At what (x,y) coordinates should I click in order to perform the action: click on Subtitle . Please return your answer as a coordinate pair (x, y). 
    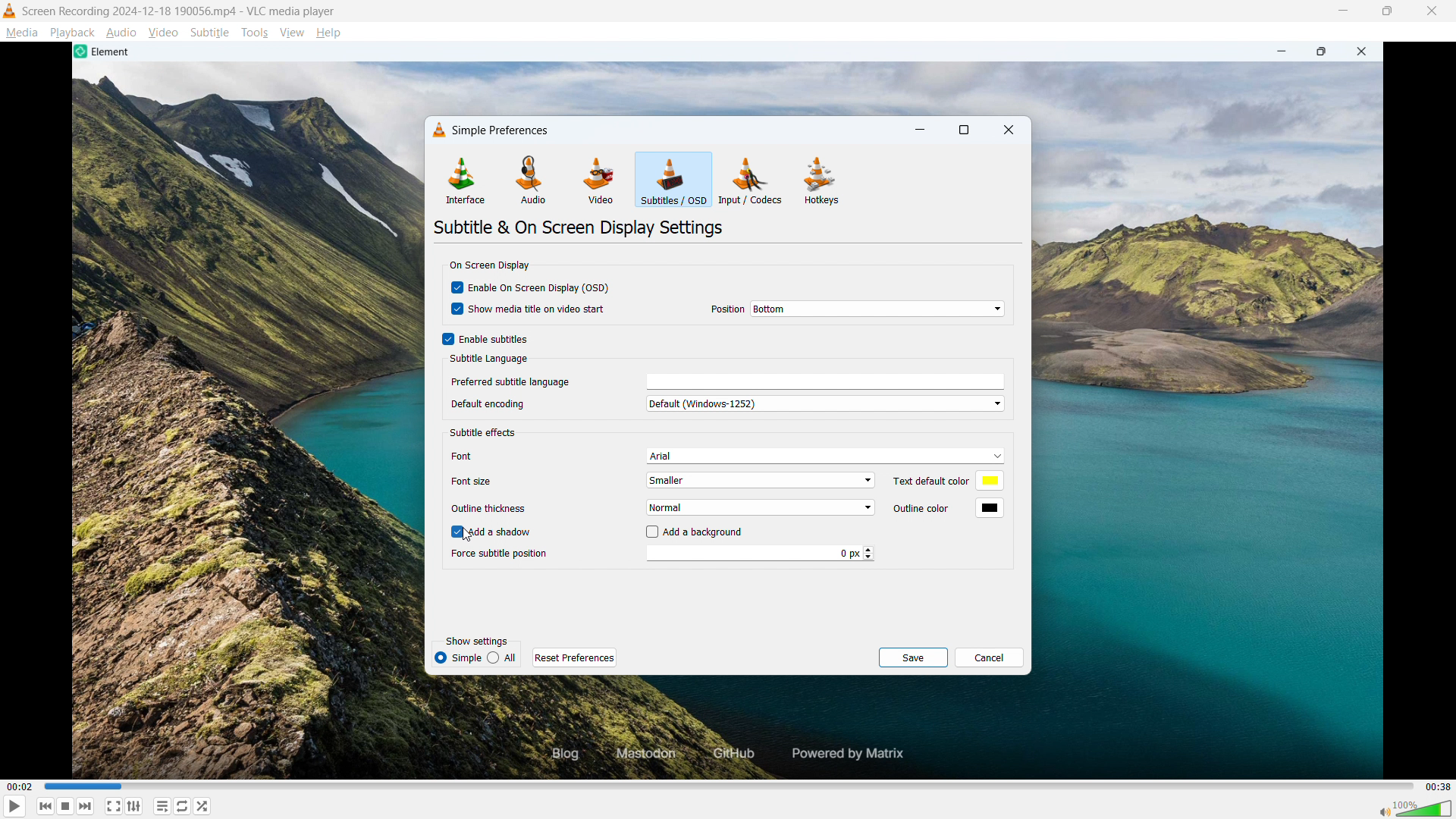
    Looking at the image, I should click on (210, 33).